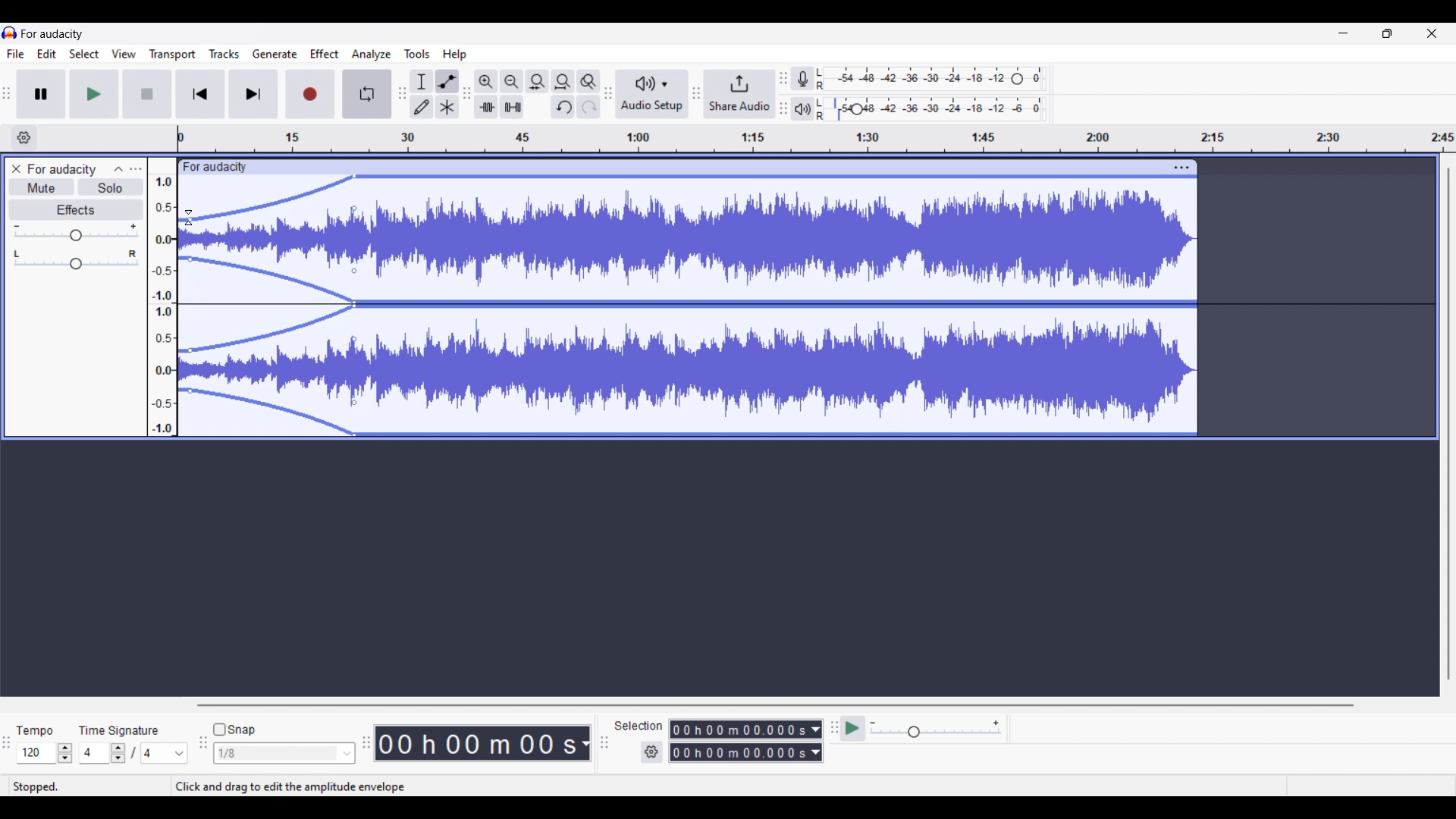  I want to click on Multi tool, so click(447, 107).